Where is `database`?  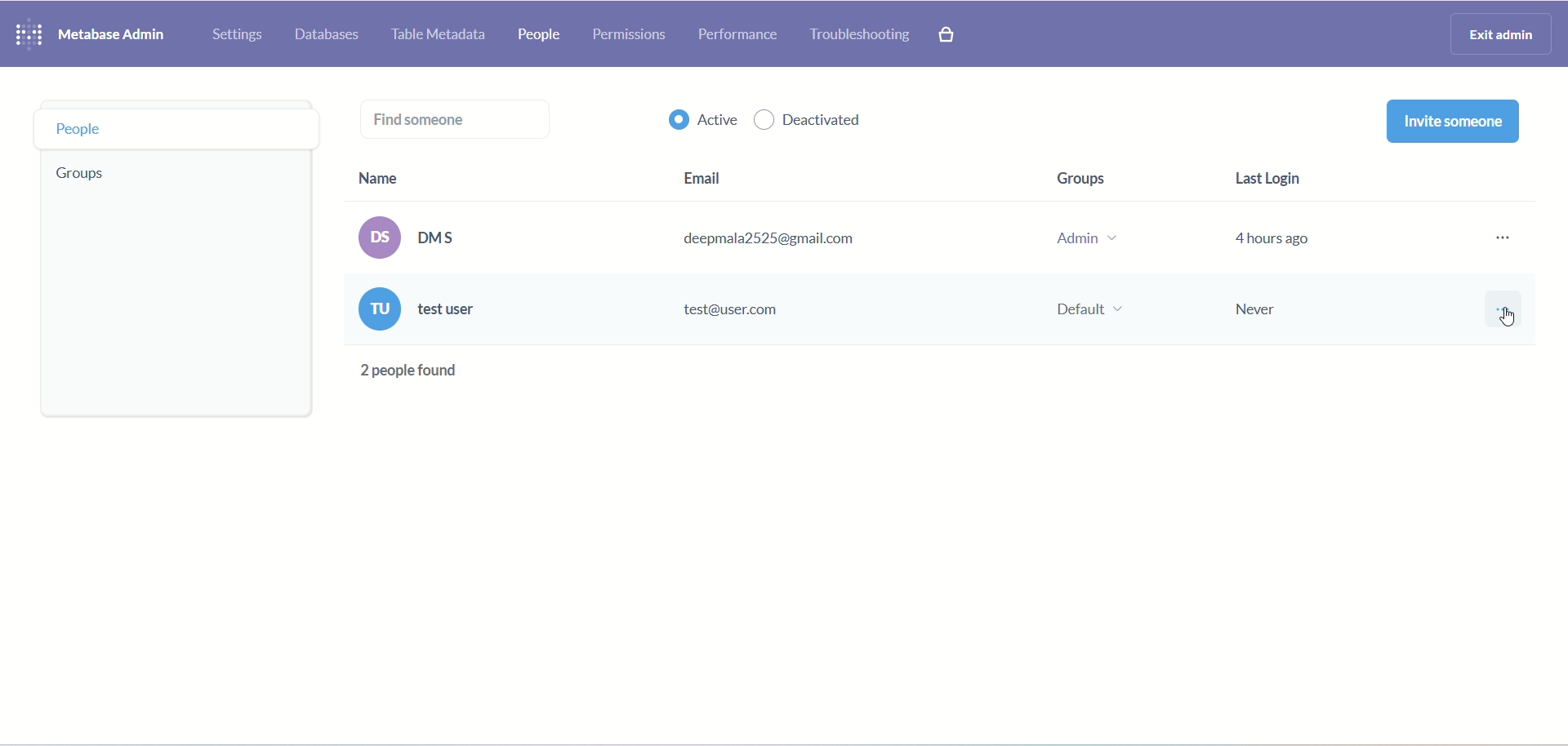 database is located at coordinates (330, 34).